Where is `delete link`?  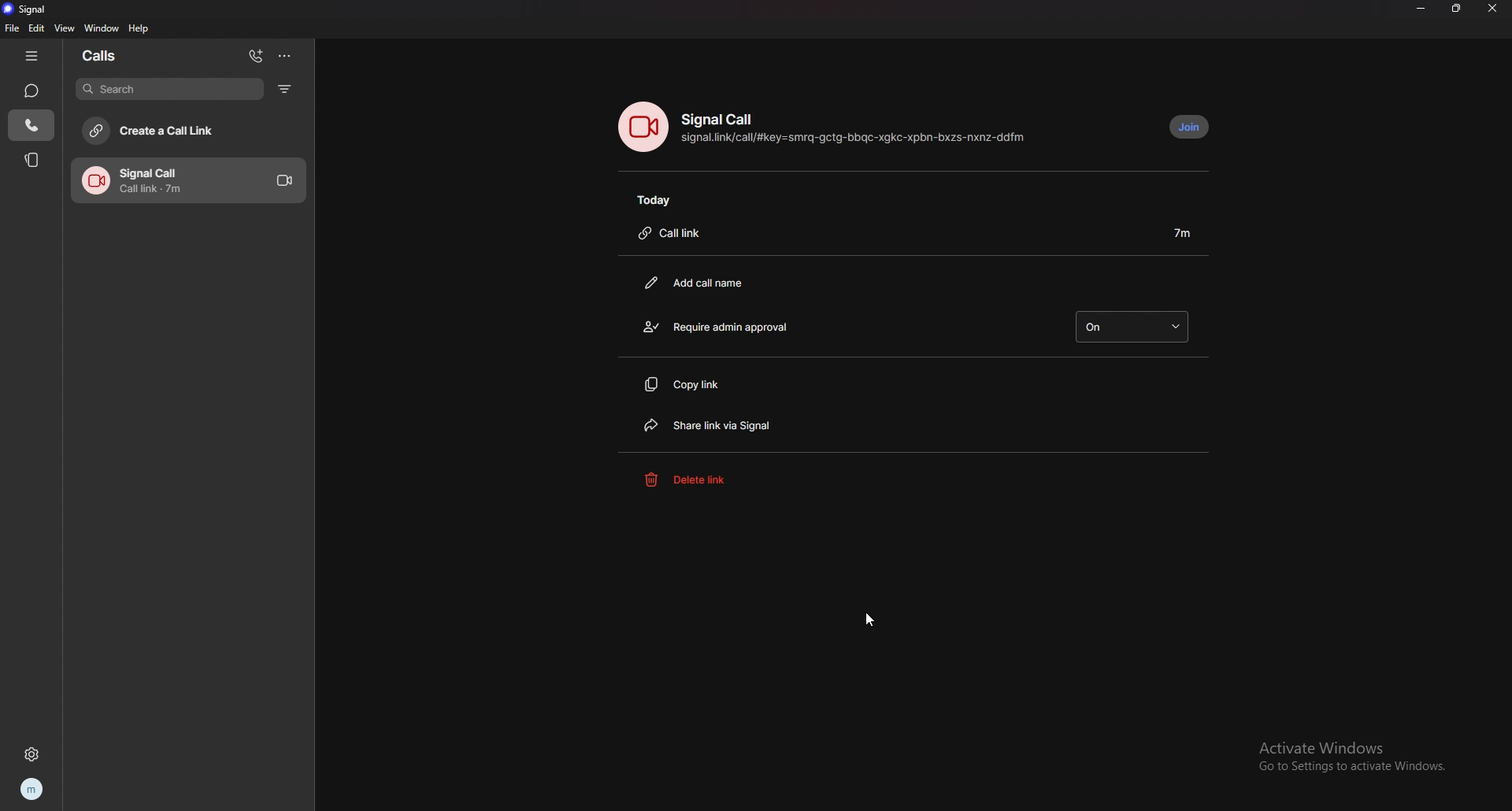 delete link is located at coordinates (717, 478).